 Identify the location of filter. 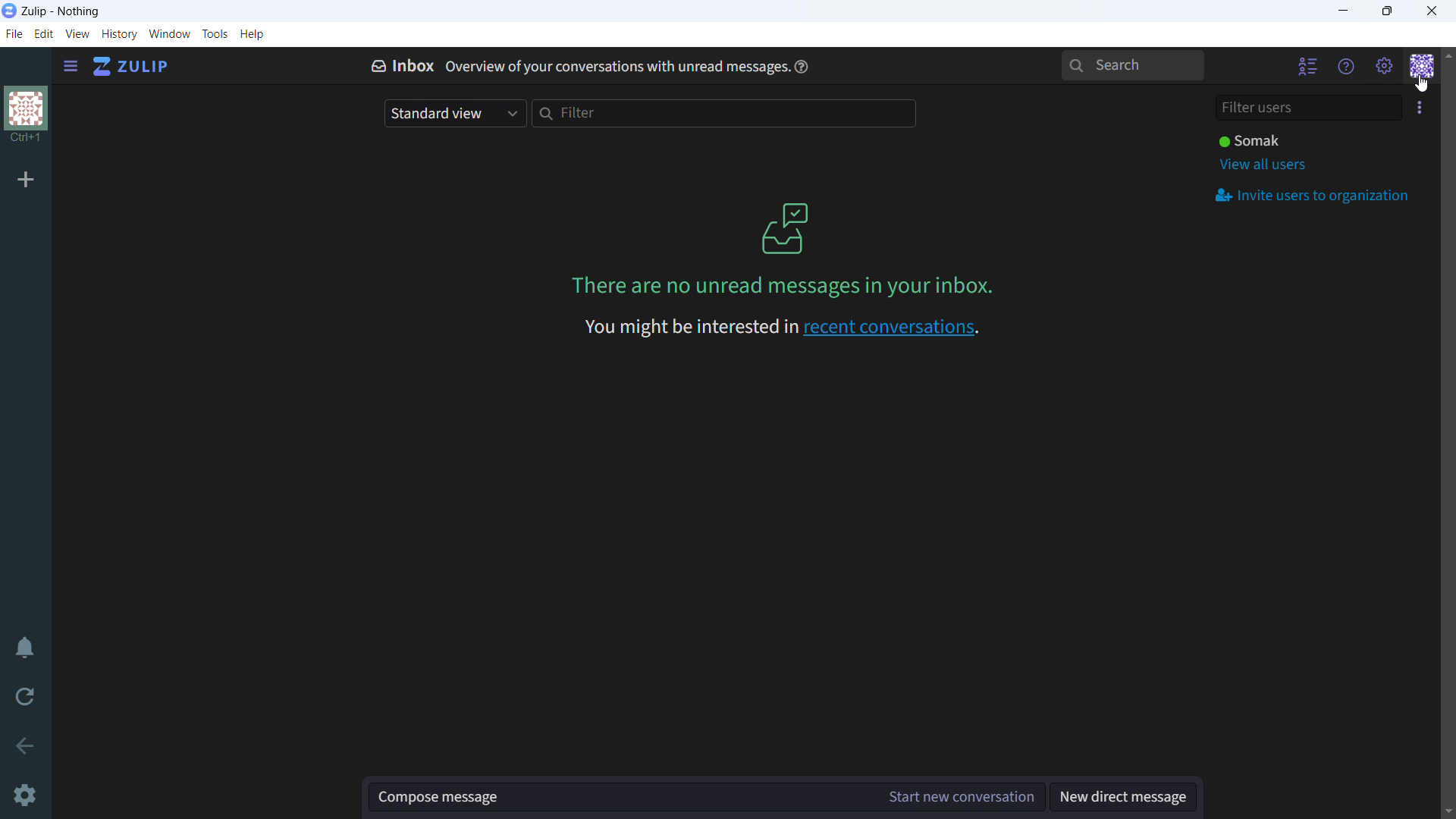
(725, 112).